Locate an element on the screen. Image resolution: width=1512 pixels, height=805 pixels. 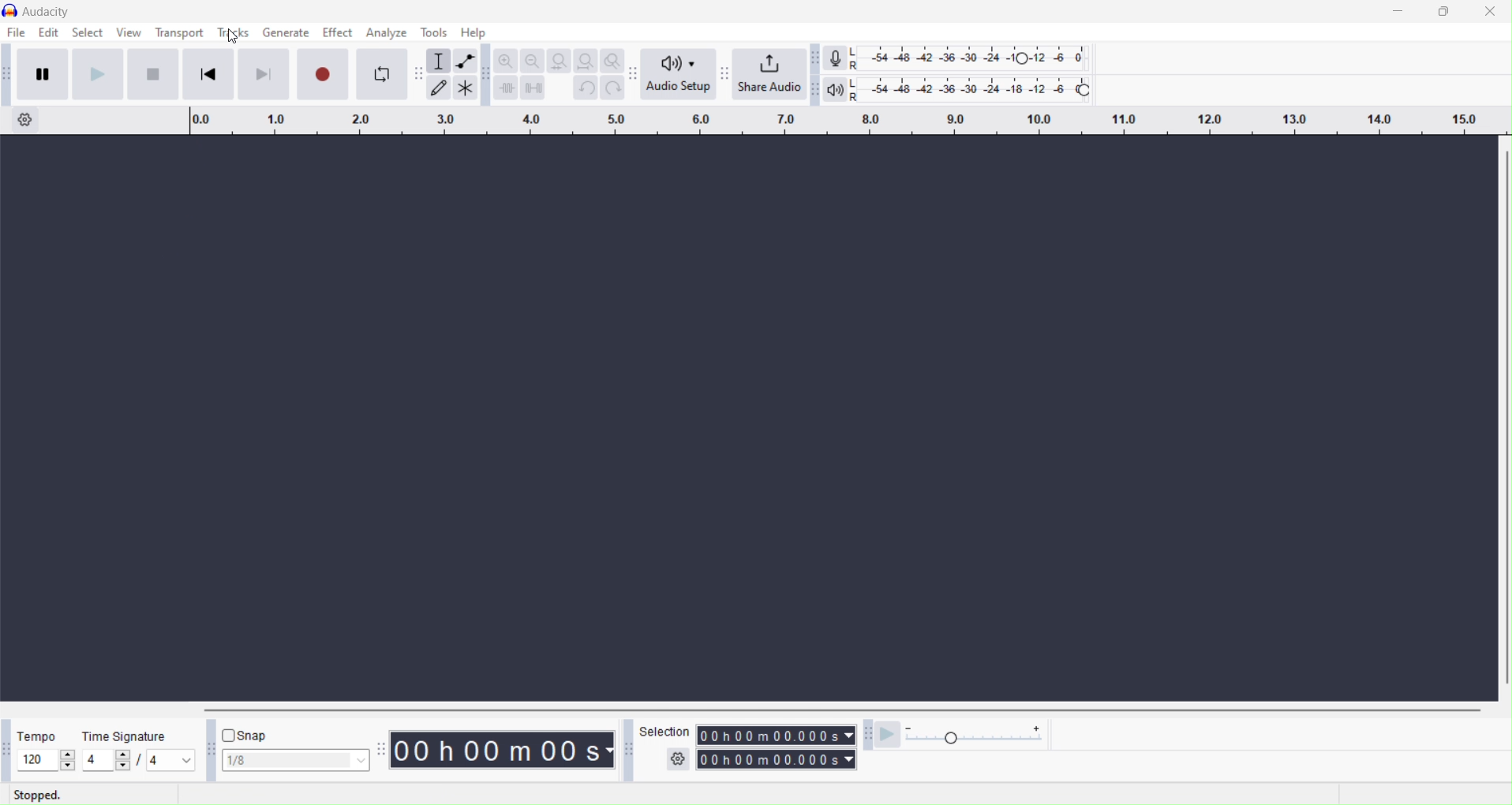
Silence audio selection is located at coordinates (534, 87).